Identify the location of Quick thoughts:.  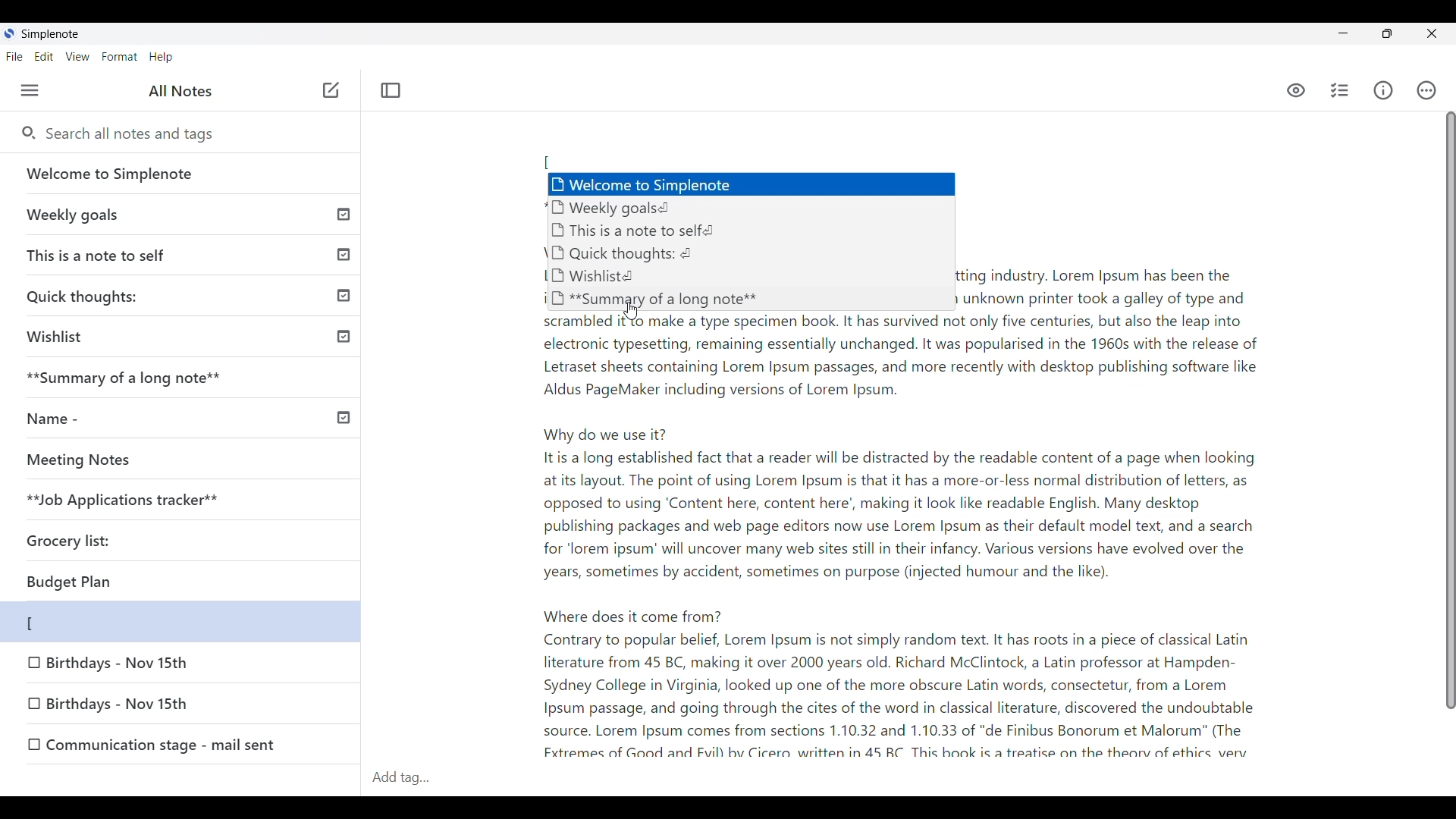
(187, 295).